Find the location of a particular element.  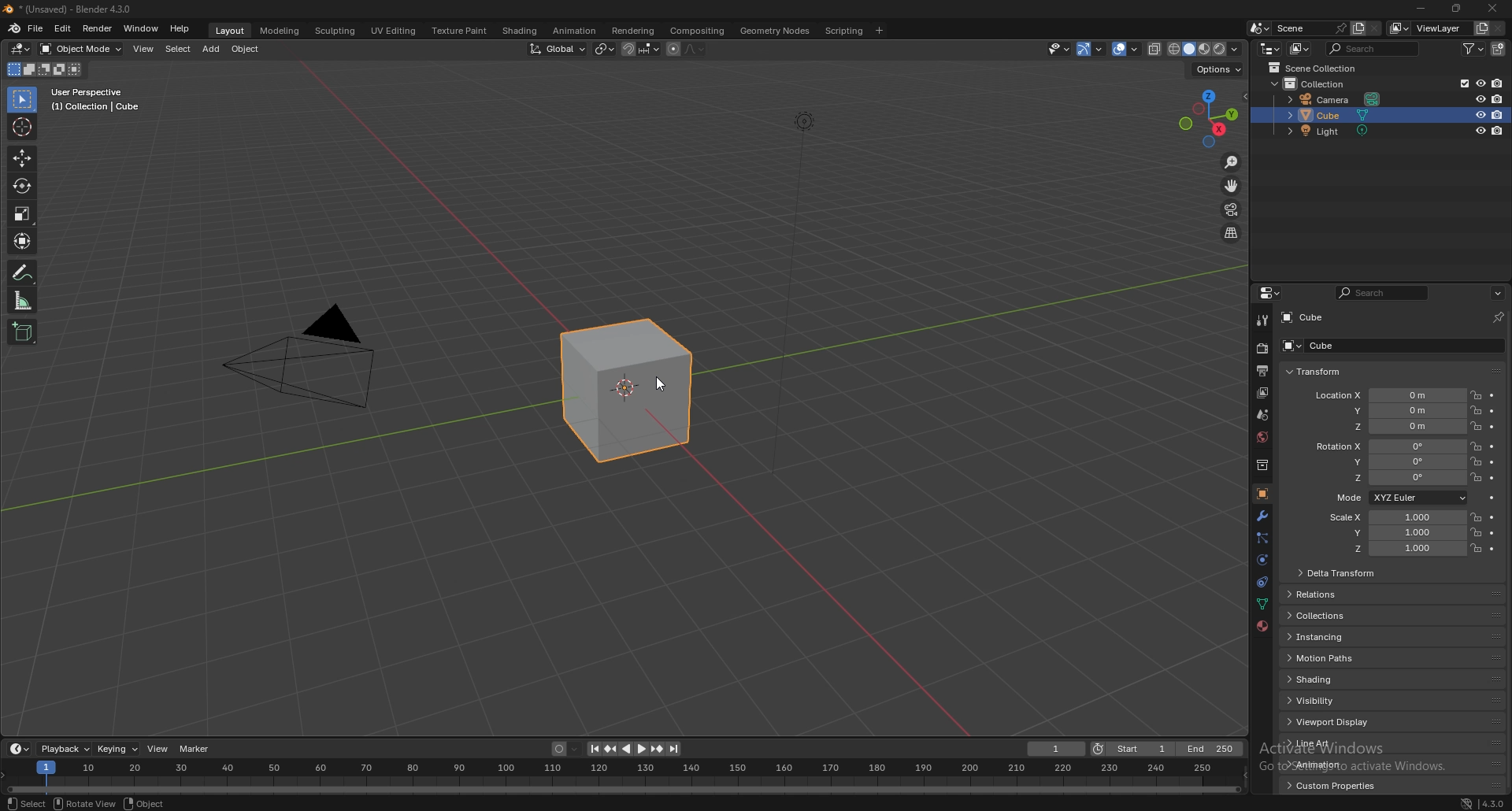

view layer is located at coordinates (1265, 392).